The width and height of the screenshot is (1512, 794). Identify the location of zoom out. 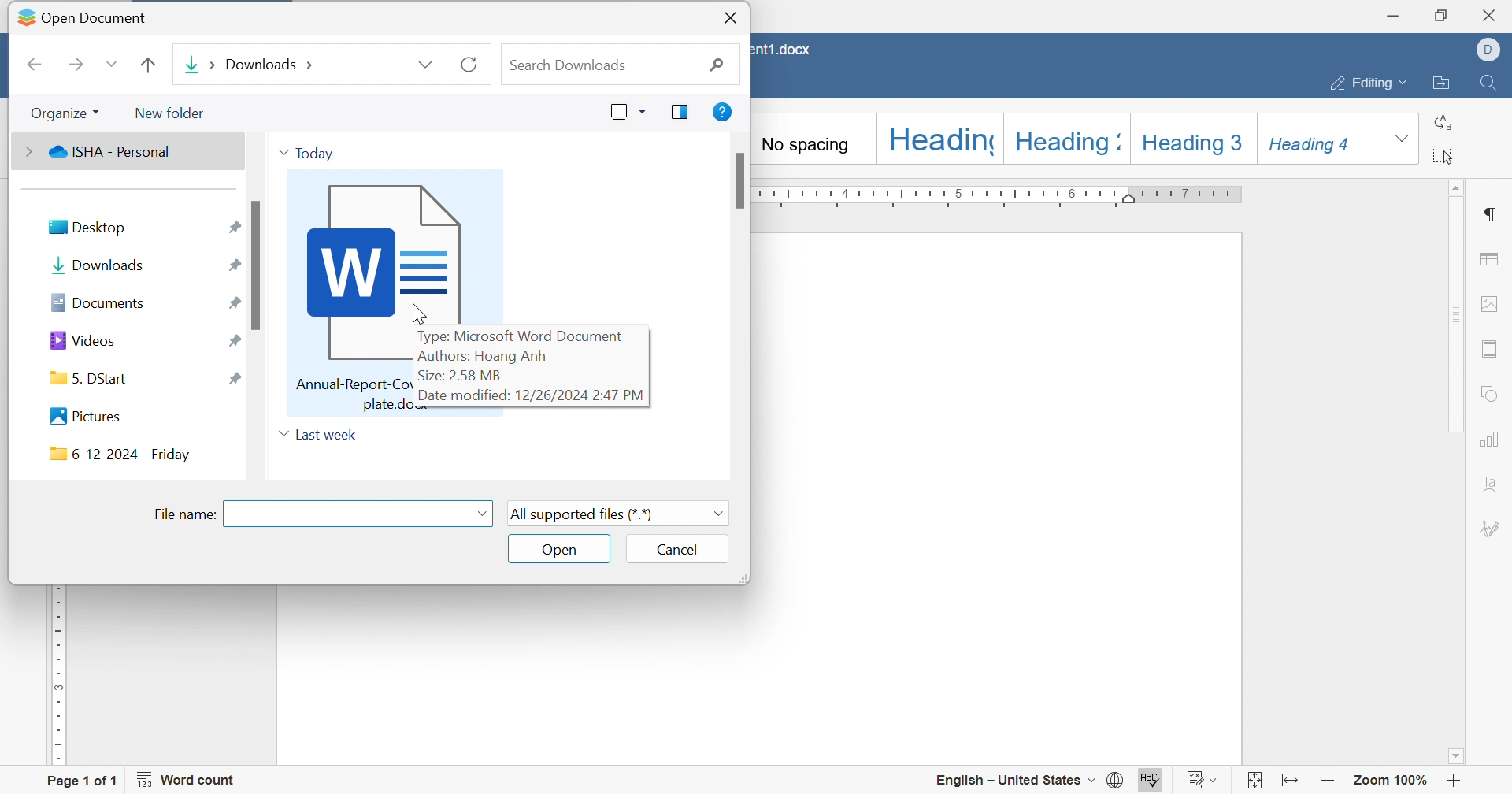
(1328, 783).